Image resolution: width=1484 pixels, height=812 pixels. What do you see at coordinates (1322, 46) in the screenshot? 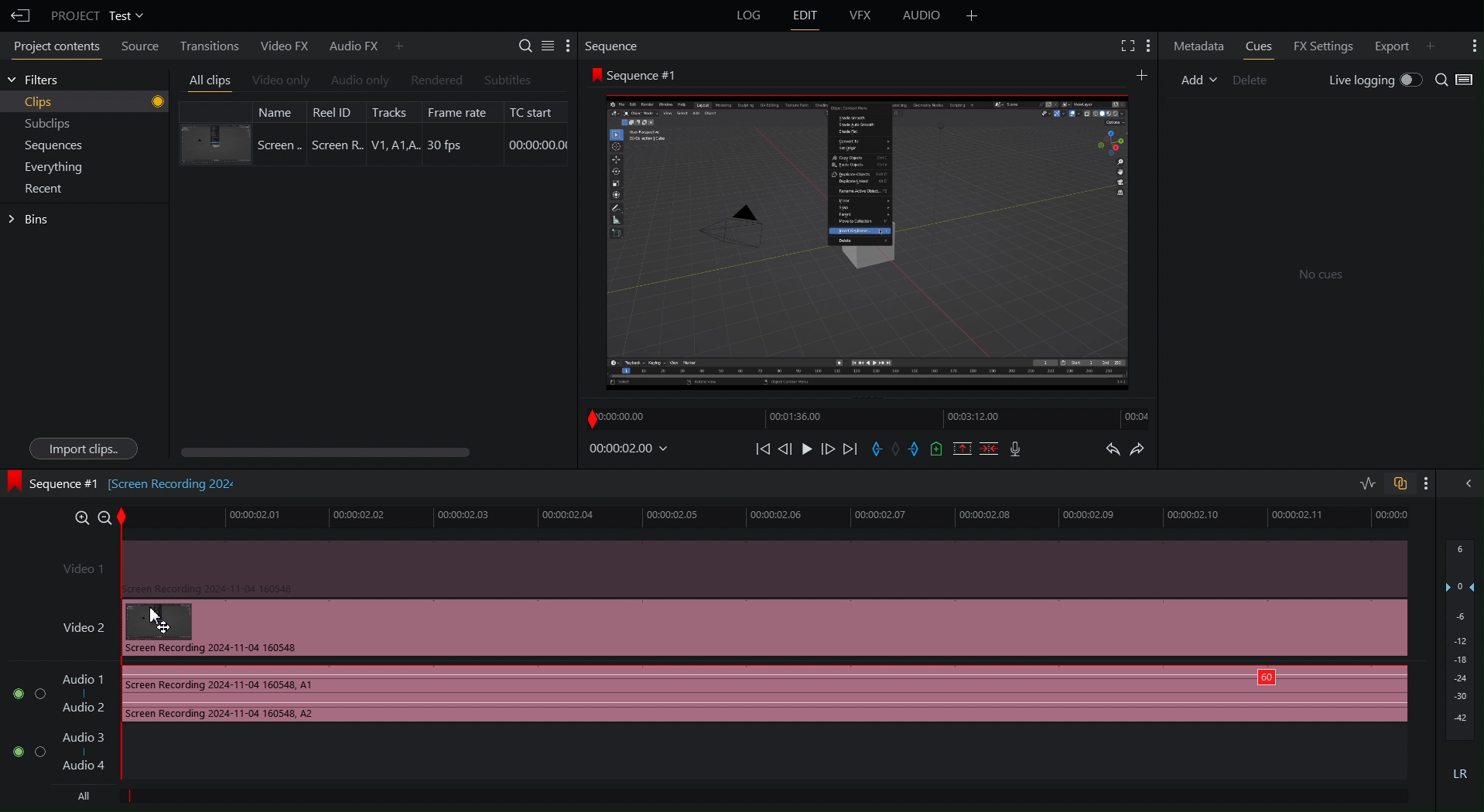
I see `FX Settings` at bounding box center [1322, 46].